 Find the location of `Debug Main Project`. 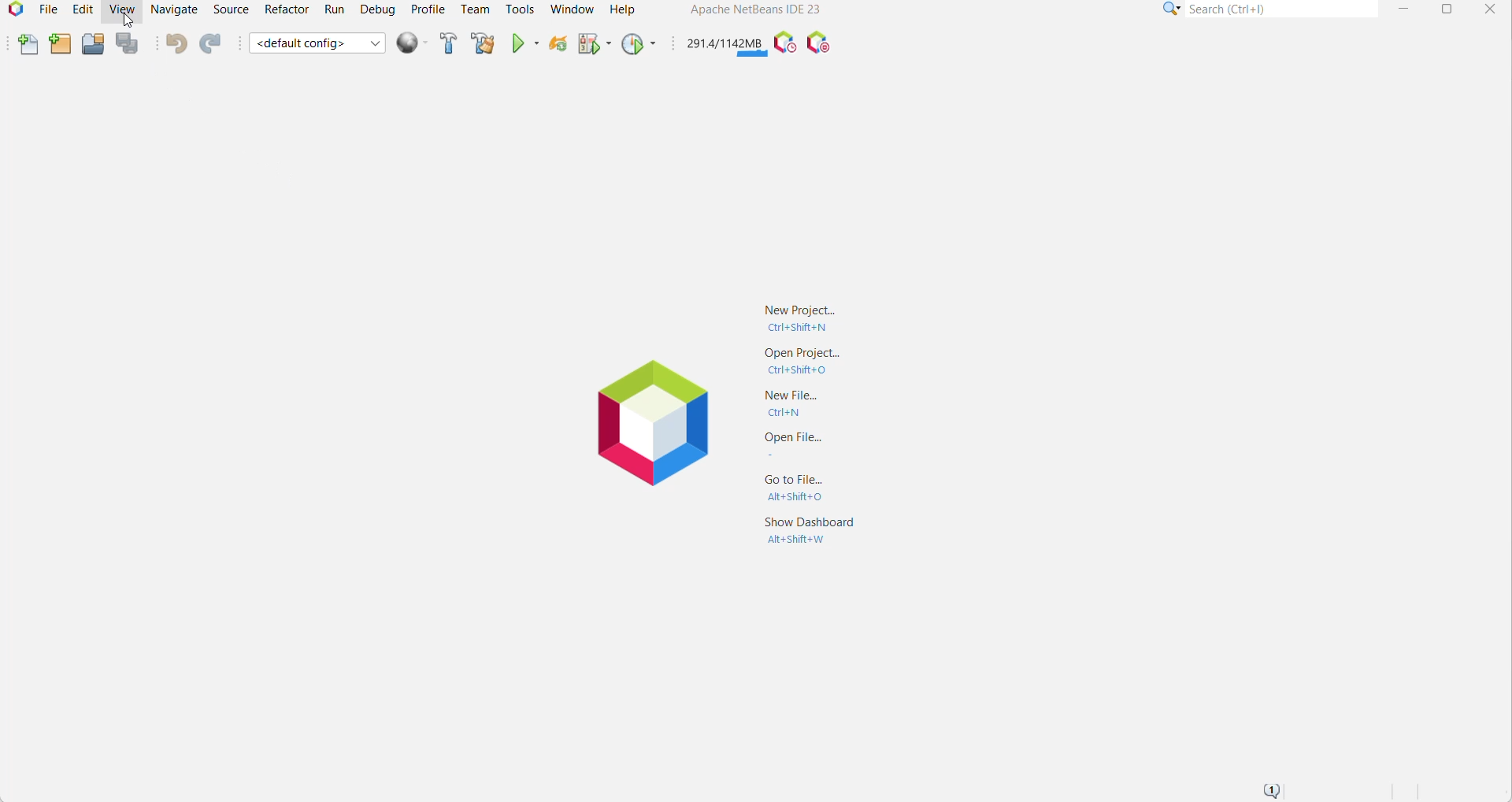

Debug Main Project is located at coordinates (593, 46).